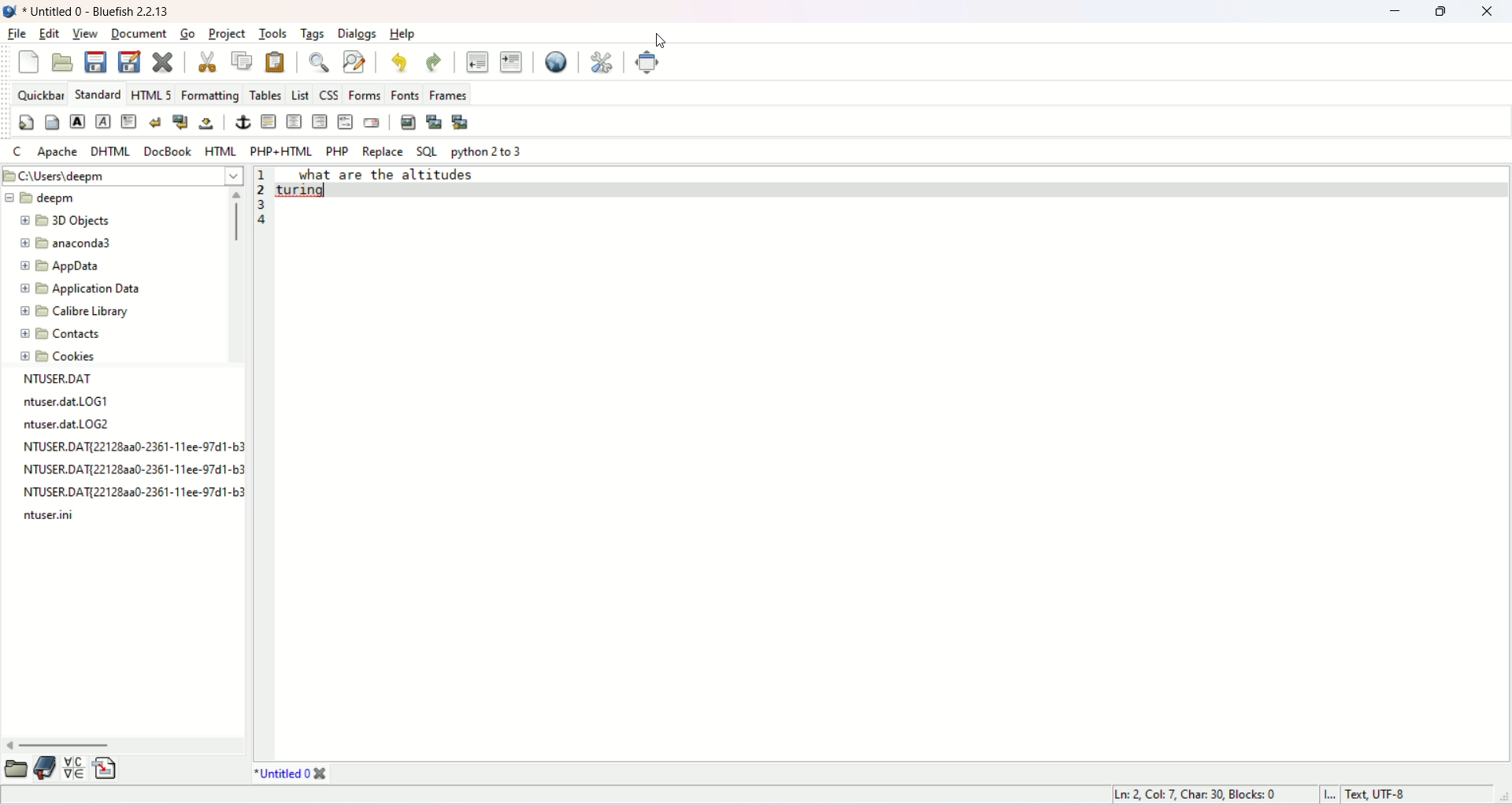 The width and height of the screenshot is (1512, 805). Describe the element at coordinates (1333, 795) in the screenshot. I see `I` at that location.